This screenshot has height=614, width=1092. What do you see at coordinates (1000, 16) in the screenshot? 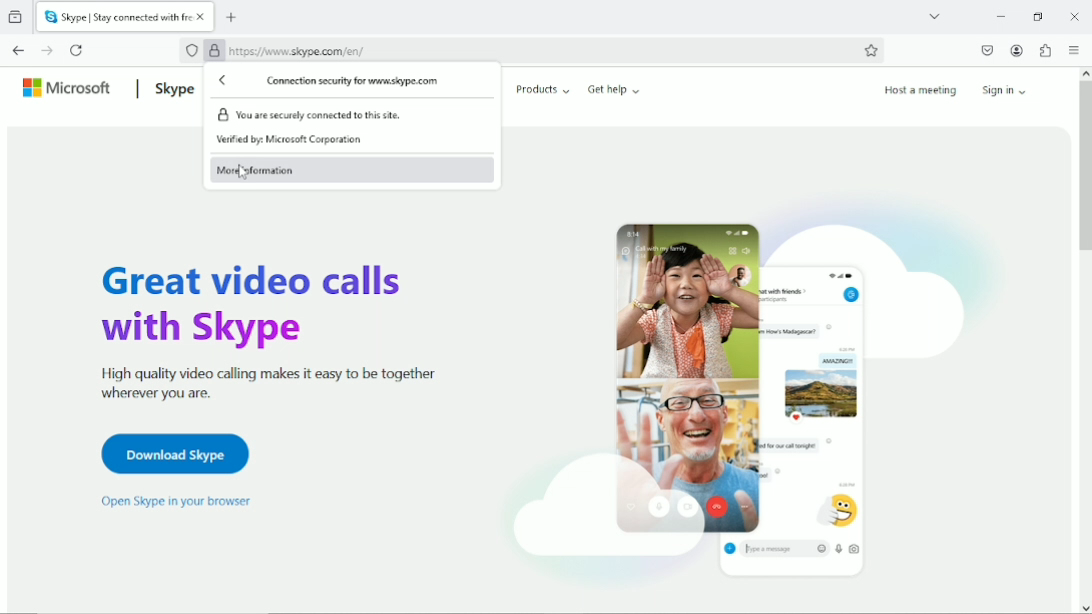
I see `Minimize` at bounding box center [1000, 16].